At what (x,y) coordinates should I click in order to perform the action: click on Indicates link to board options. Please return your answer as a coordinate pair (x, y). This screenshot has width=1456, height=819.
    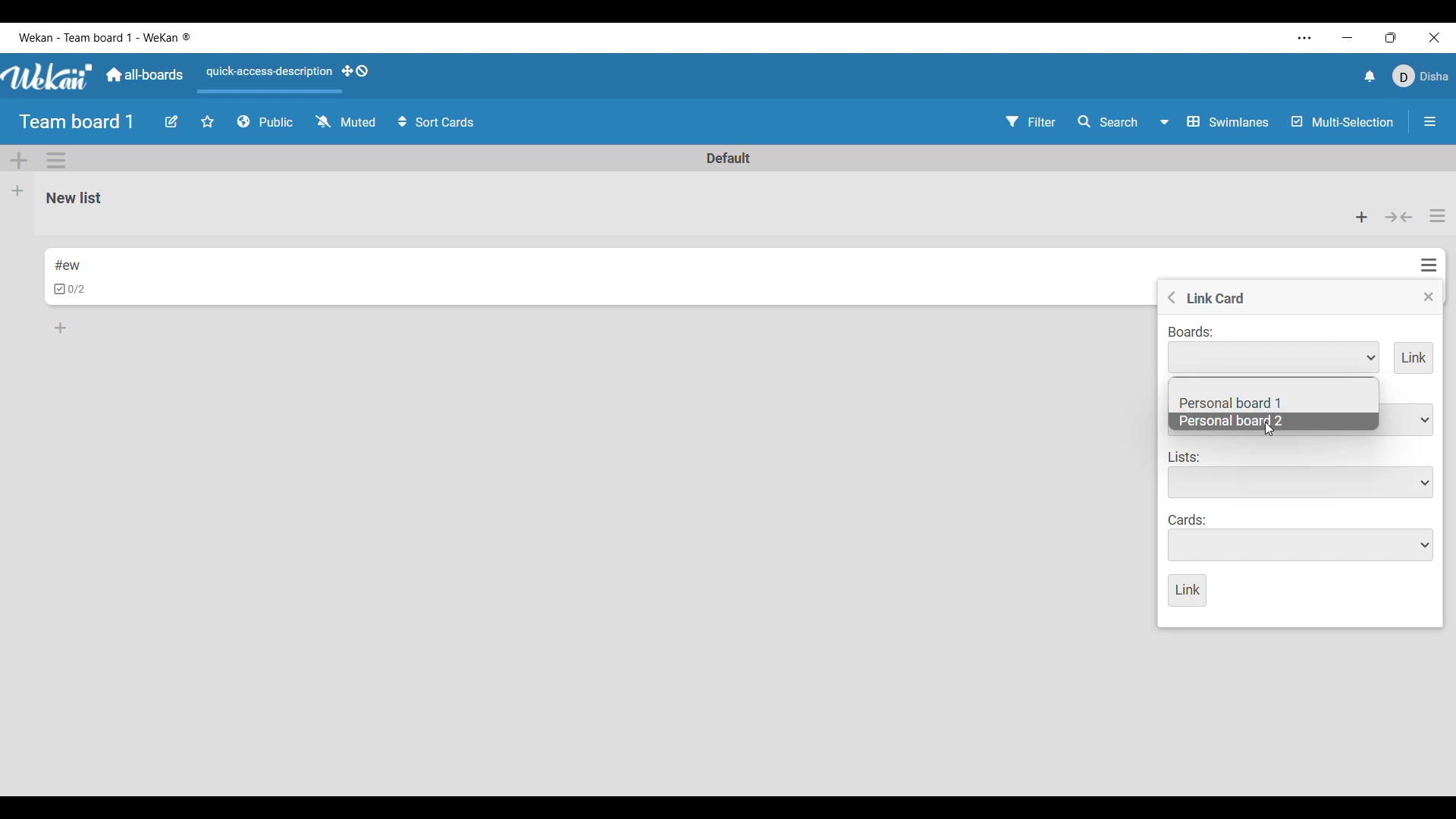
    Looking at the image, I should click on (1191, 332).